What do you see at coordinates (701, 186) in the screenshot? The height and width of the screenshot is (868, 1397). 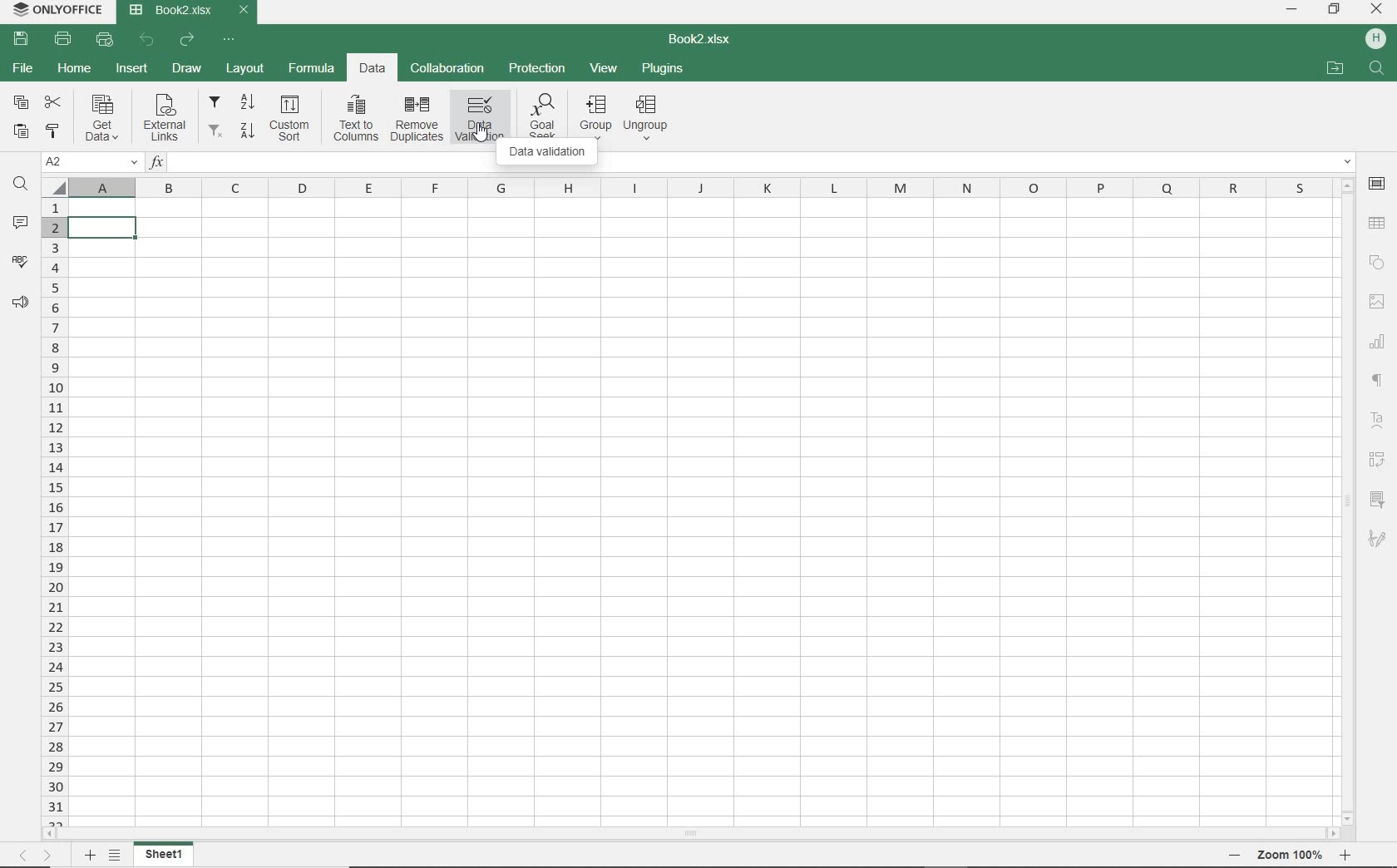 I see `COLUMNS` at bounding box center [701, 186].